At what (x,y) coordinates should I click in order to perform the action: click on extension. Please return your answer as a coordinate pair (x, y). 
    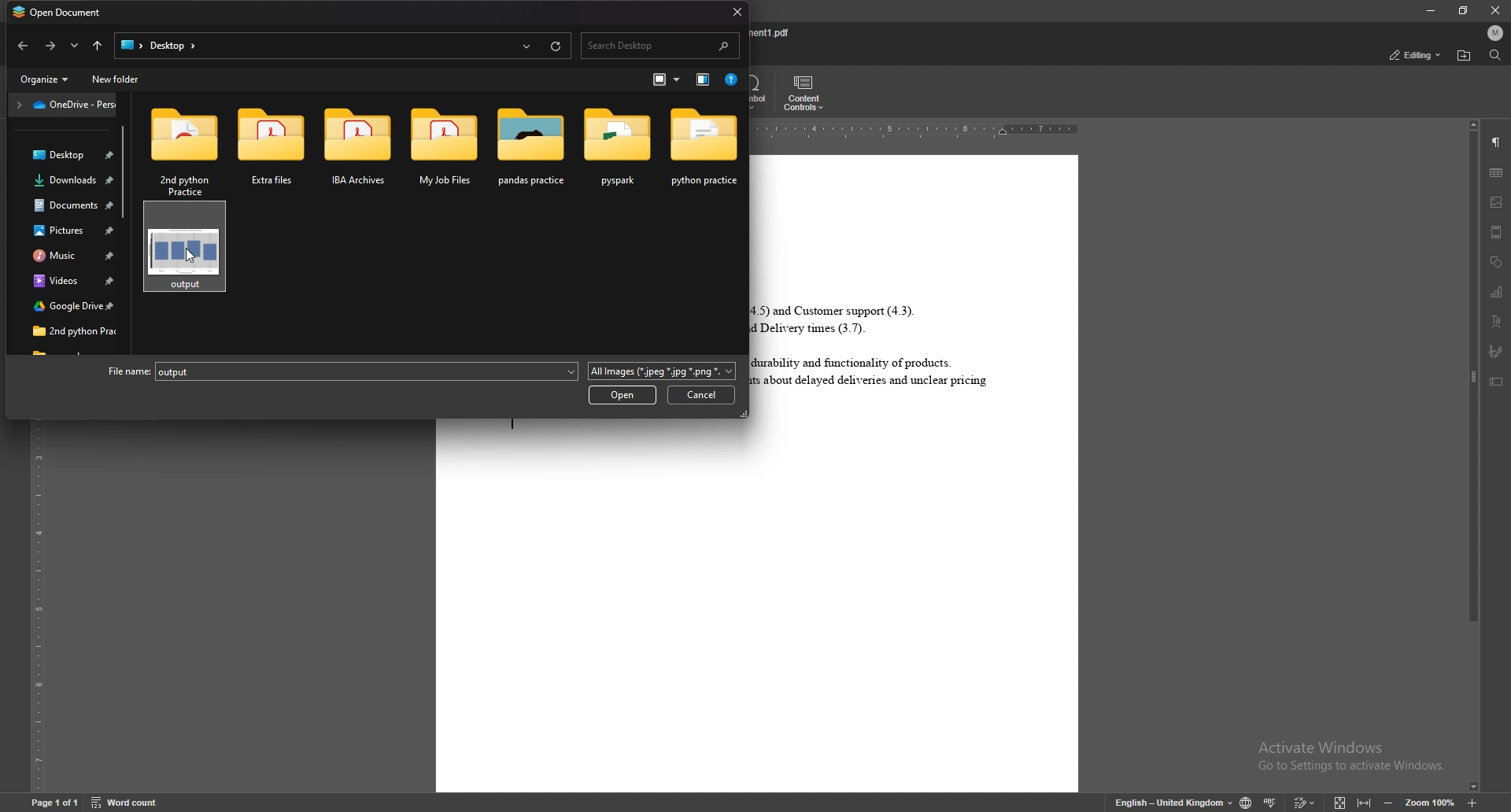
    Looking at the image, I should click on (663, 369).